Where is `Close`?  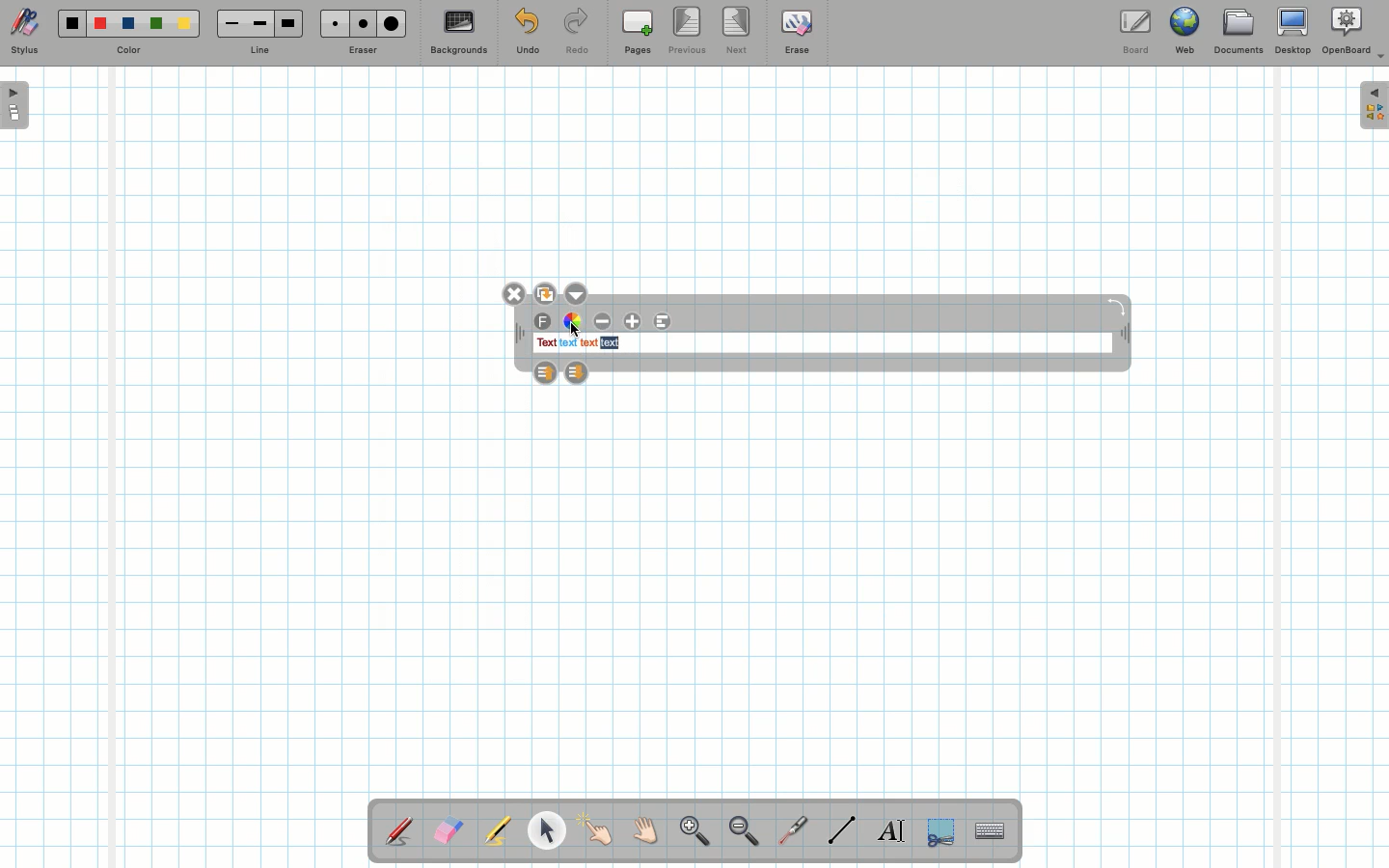 Close is located at coordinates (512, 294).